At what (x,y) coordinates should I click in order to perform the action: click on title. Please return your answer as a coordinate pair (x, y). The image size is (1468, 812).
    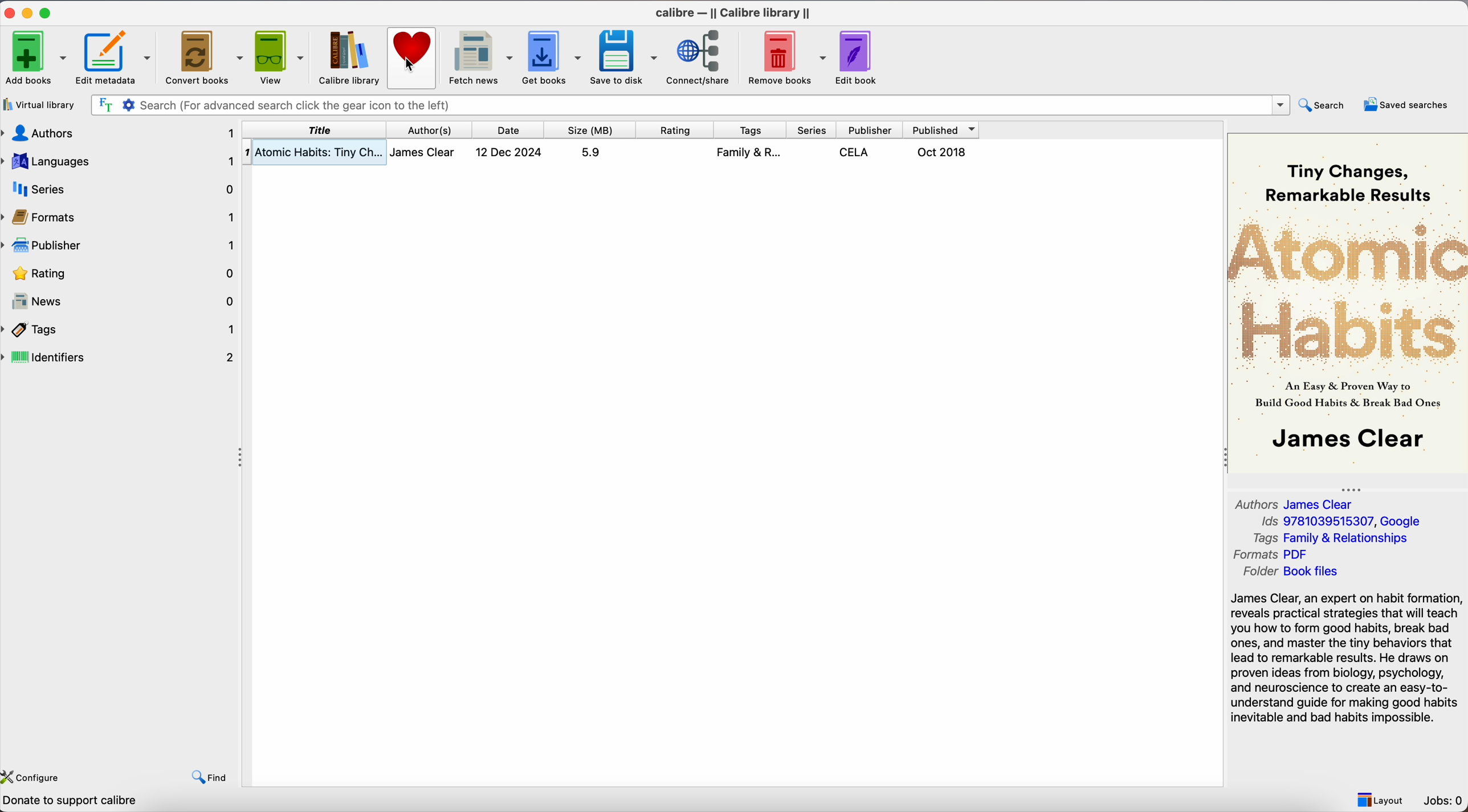
    Looking at the image, I should click on (314, 129).